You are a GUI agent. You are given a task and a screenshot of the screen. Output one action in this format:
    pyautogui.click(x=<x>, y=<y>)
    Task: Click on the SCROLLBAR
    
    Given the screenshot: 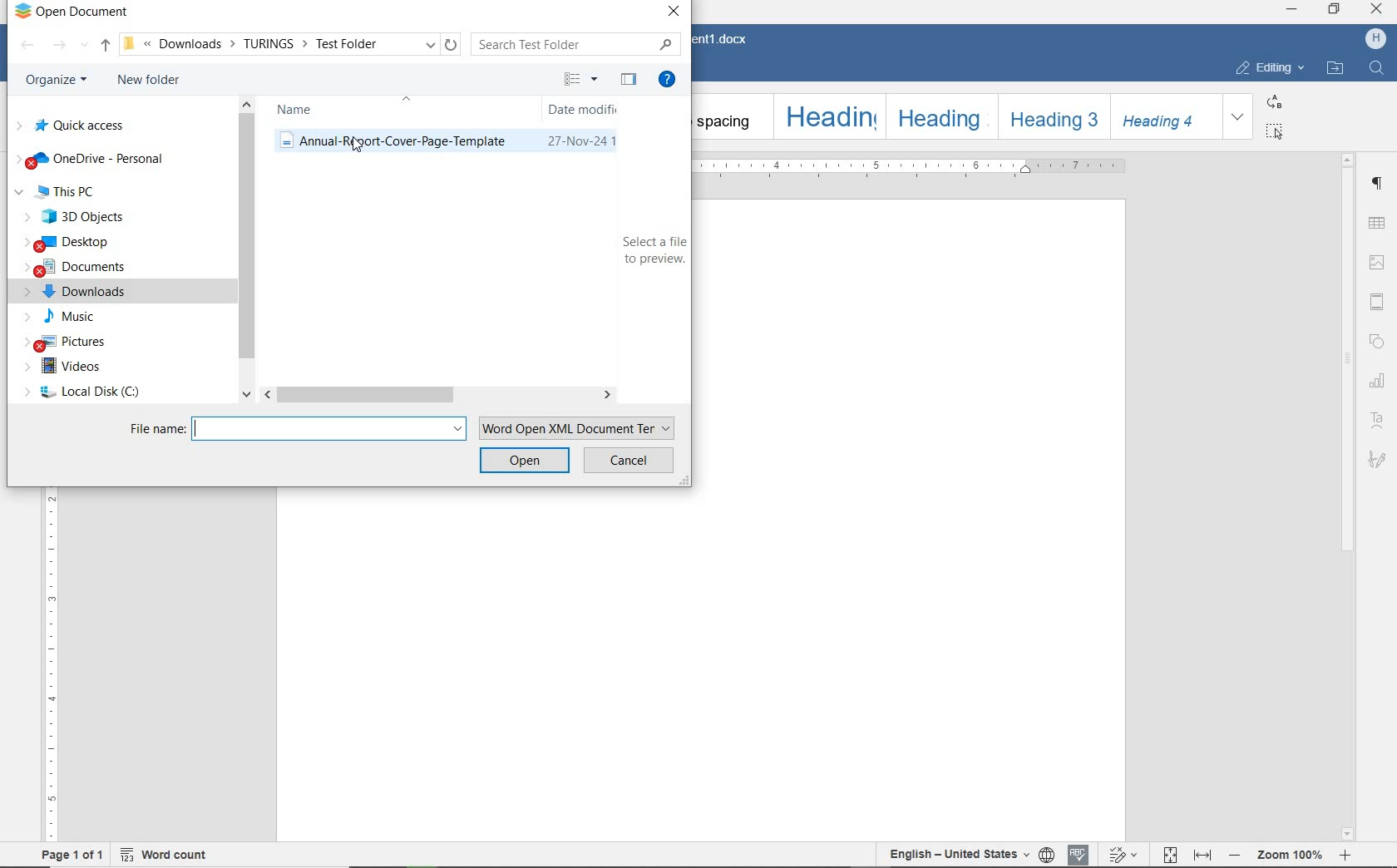 What is the action you would take?
    pyautogui.click(x=442, y=396)
    